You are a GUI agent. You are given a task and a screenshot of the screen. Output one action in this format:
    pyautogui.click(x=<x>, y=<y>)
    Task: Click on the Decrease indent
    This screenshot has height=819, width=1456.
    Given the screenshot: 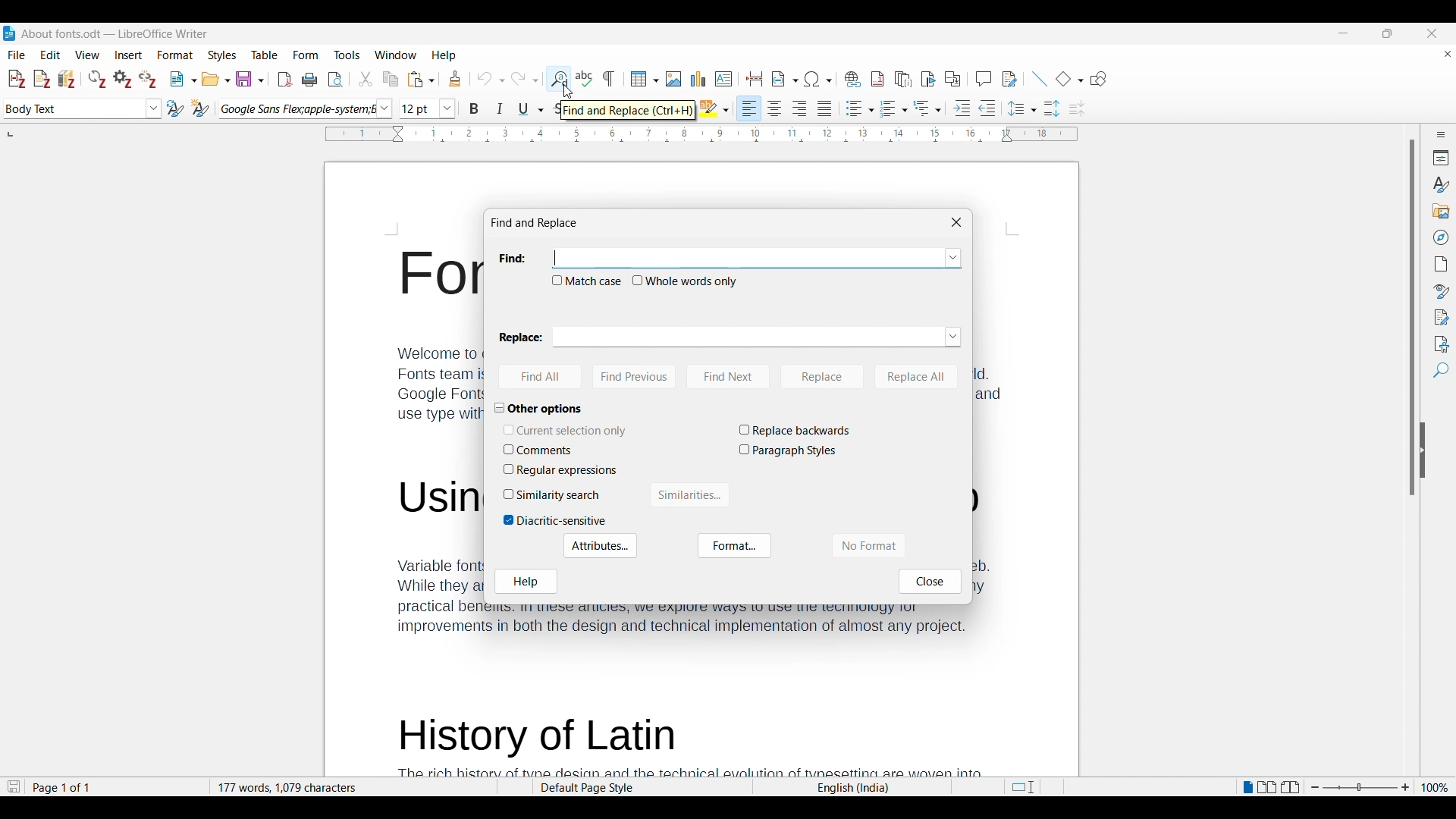 What is the action you would take?
    pyautogui.click(x=987, y=108)
    